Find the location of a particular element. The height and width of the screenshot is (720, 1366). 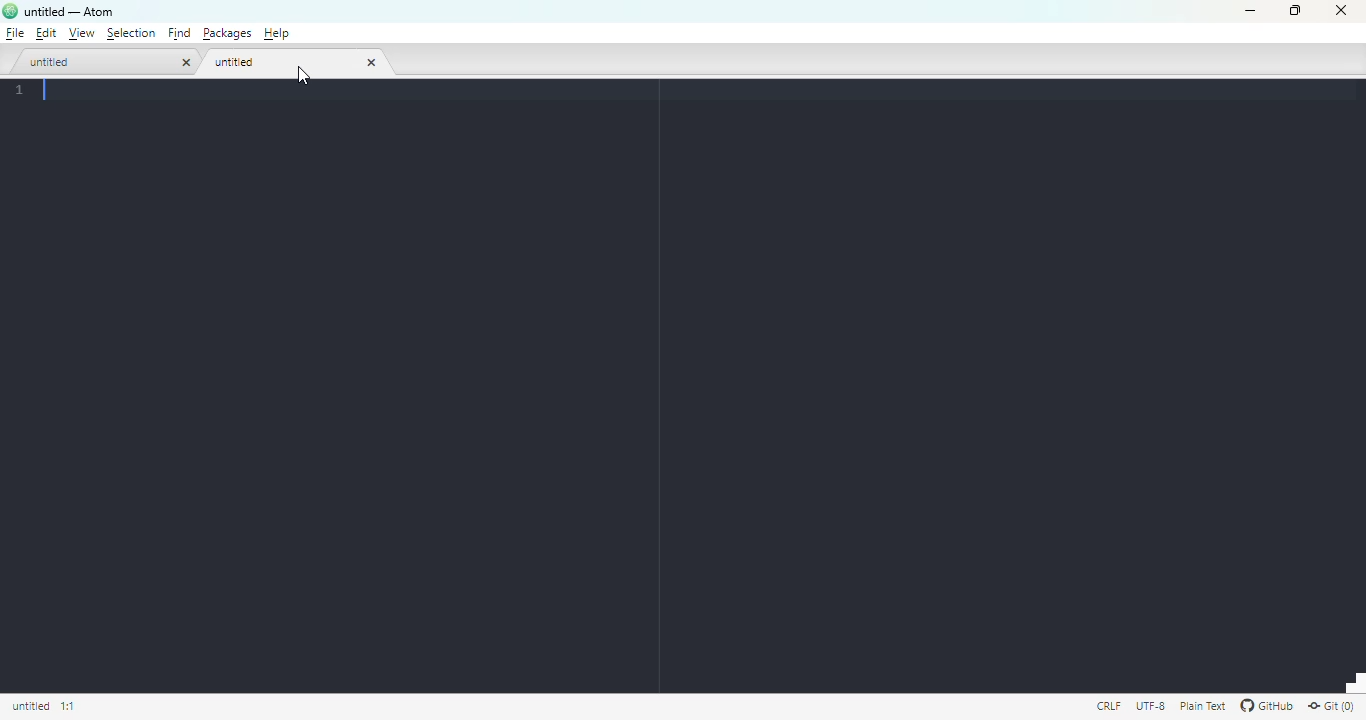

untitled is located at coordinates (235, 62).